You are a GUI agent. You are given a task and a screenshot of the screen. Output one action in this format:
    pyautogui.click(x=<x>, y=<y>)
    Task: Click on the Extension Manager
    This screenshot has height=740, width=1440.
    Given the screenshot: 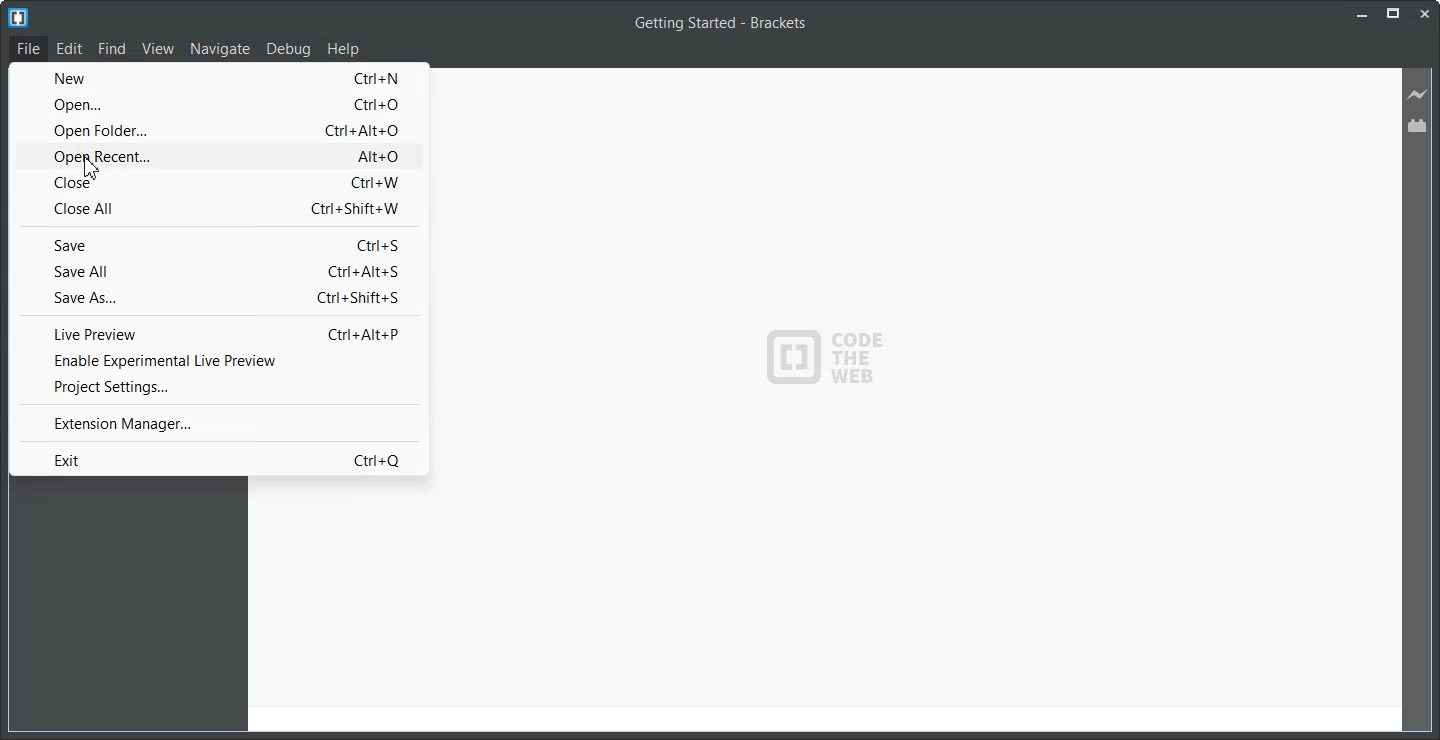 What is the action you would take?
    pyautogui.click(x=1419, y=125)
    